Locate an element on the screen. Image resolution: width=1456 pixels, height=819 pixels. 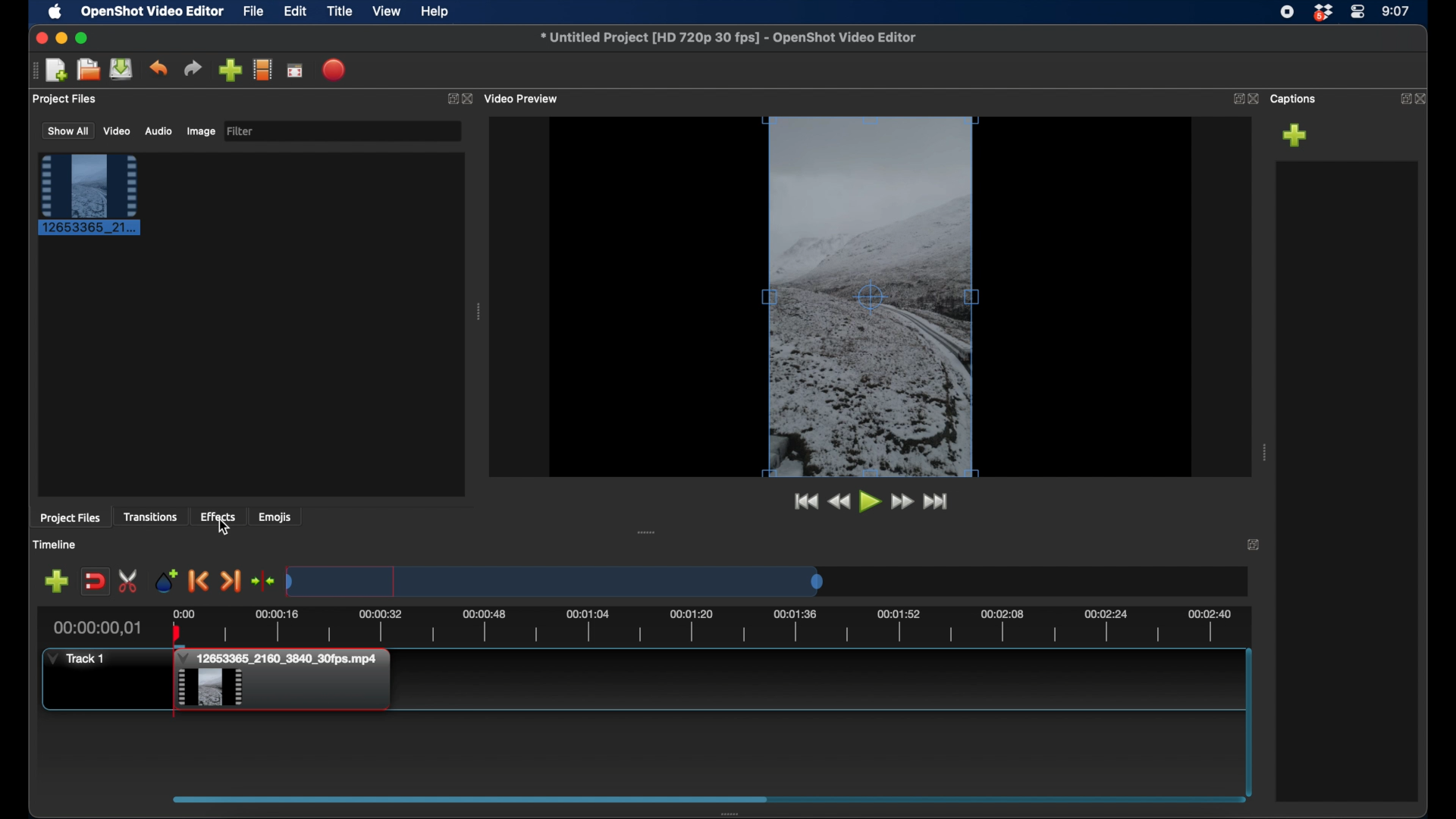
effects is located at coordinates (218, 516).